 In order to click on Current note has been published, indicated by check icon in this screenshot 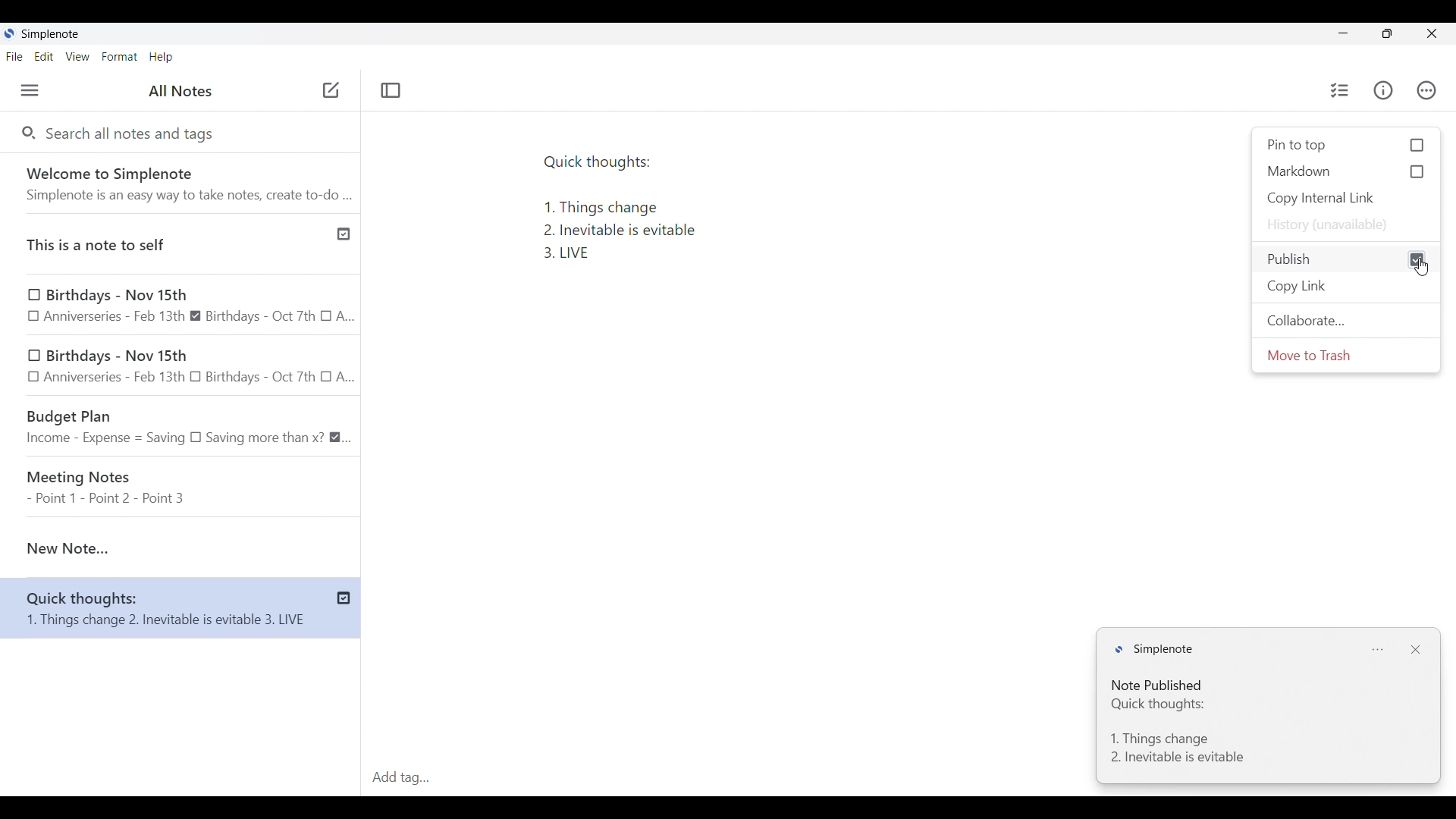, I will do `click(180, 608)`.